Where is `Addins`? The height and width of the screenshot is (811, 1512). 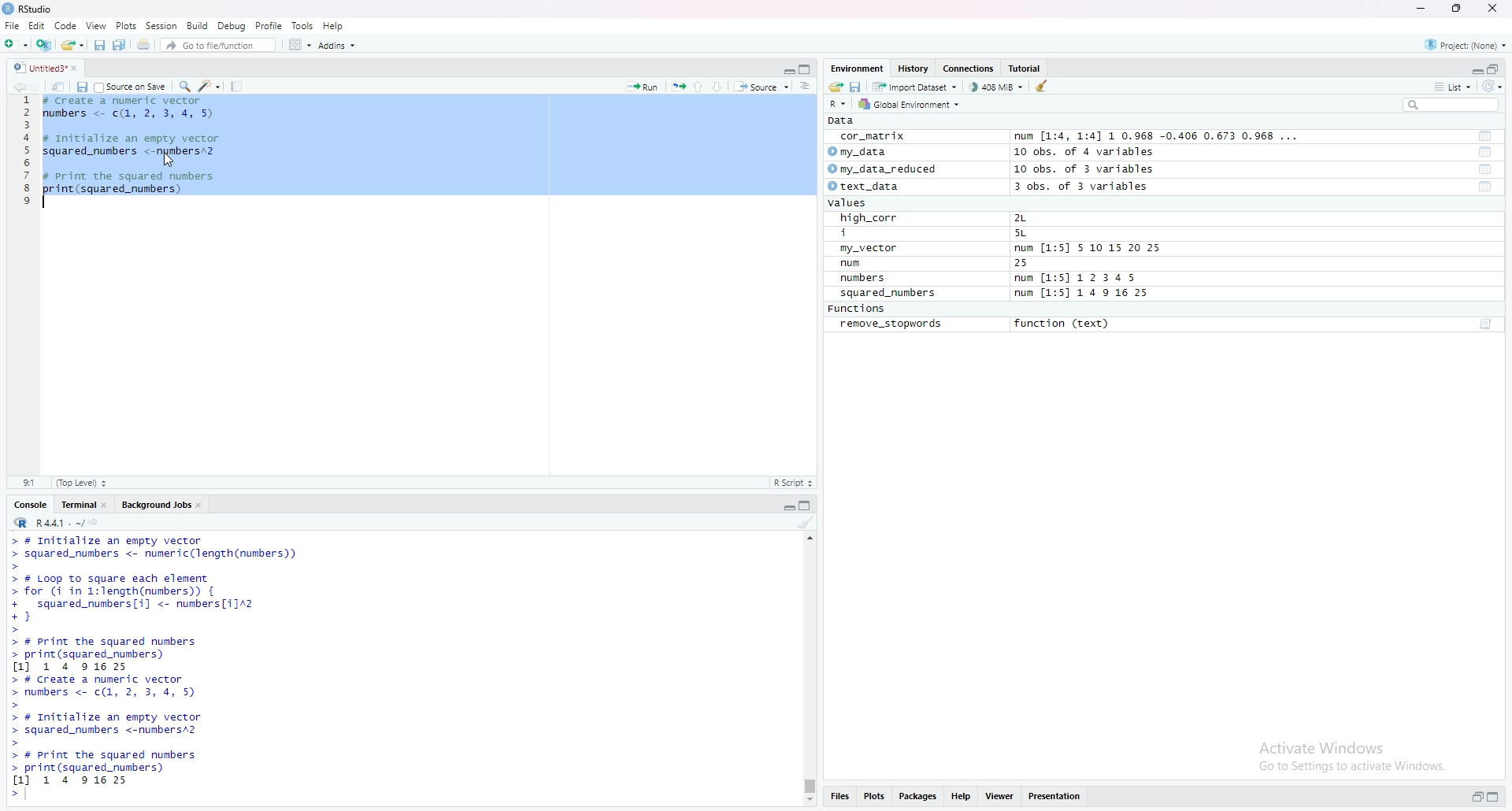 Addins is located at coordinates (336, 45).